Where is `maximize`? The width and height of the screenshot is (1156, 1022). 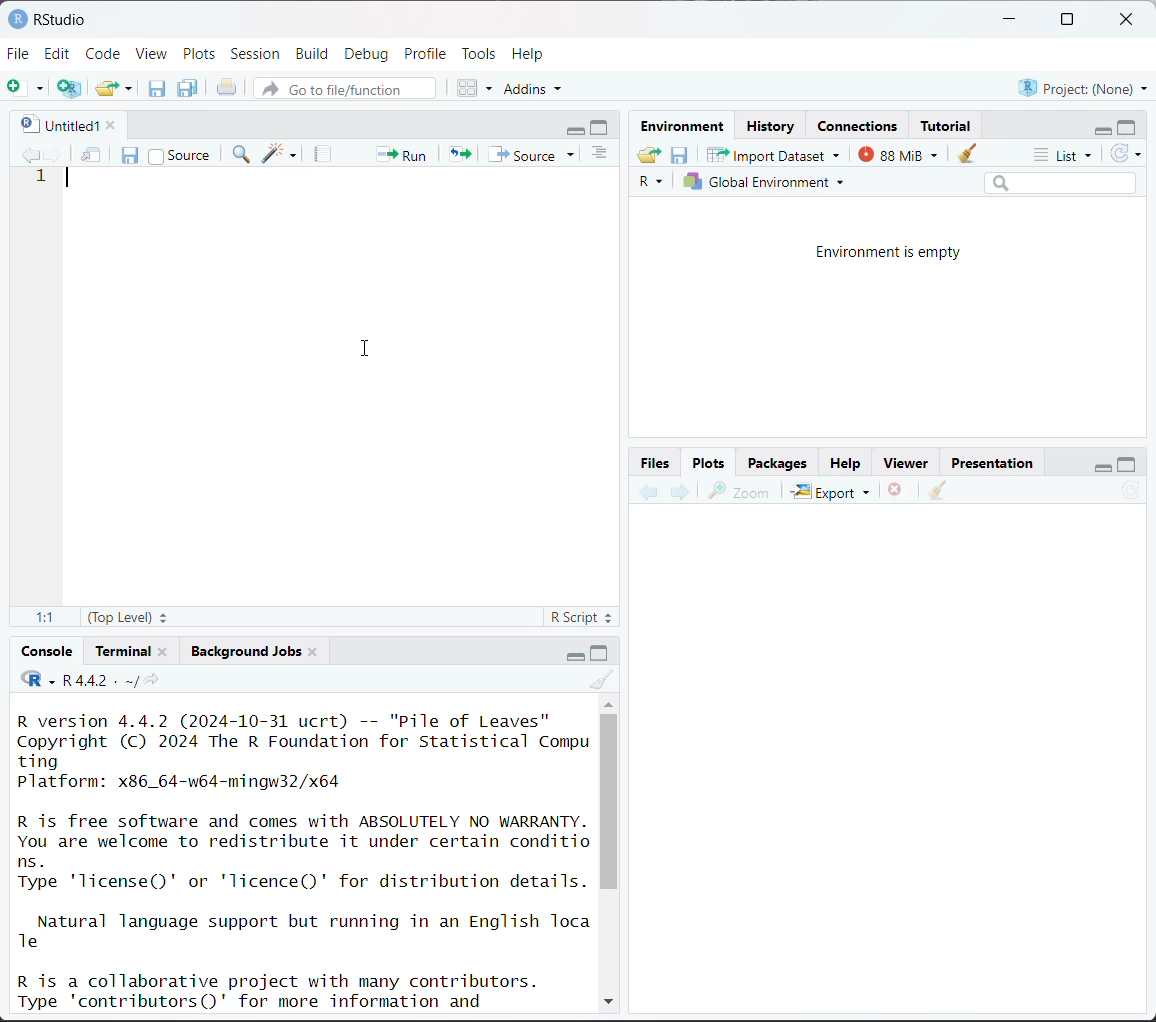
maximize is located at coordinates (1066, 20).